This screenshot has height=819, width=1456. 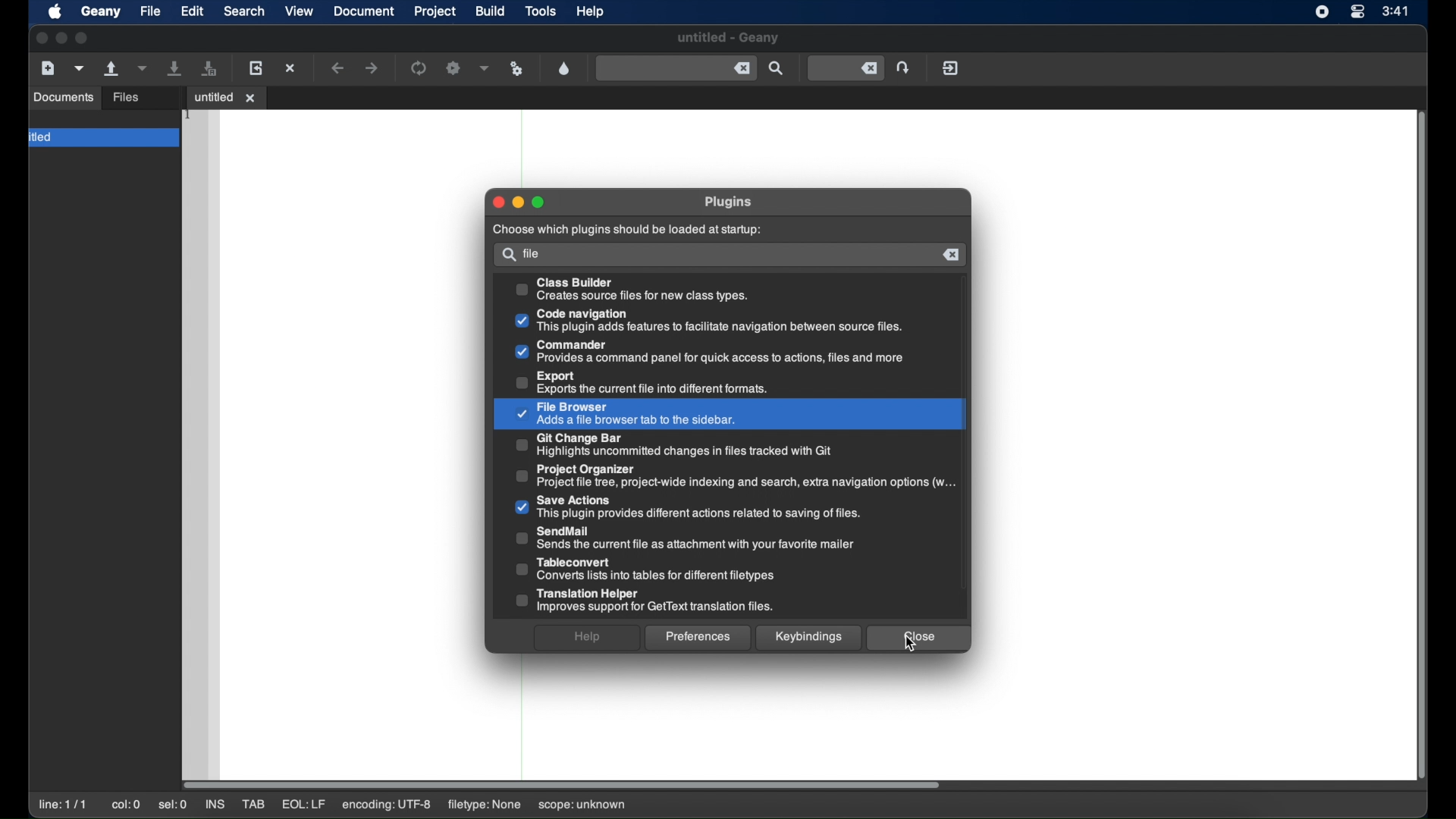 I want to click on find entered text in current file, so click(x=777, y=69).